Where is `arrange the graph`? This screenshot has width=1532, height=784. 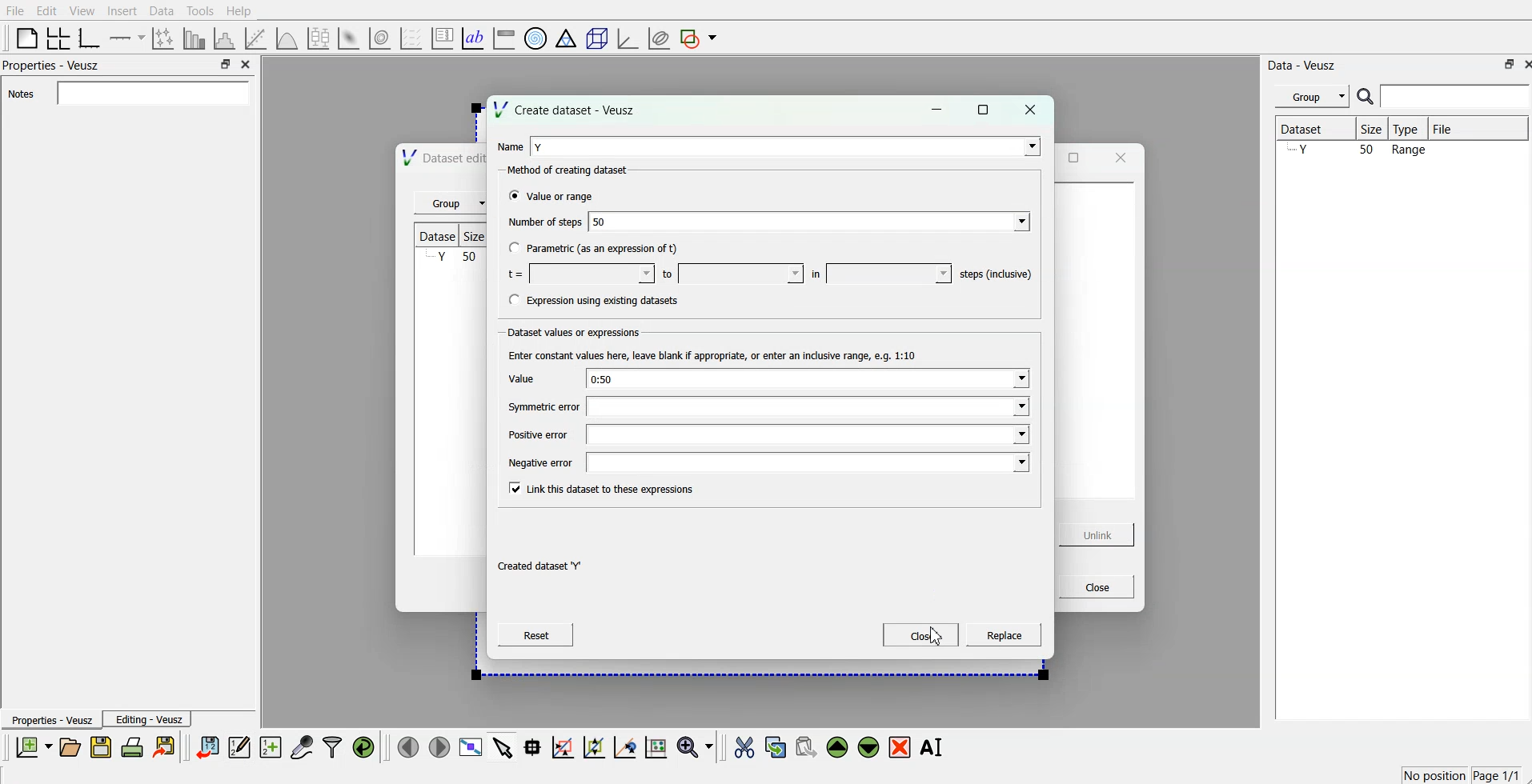 arrange the graph is located at coordinates (59, 37).